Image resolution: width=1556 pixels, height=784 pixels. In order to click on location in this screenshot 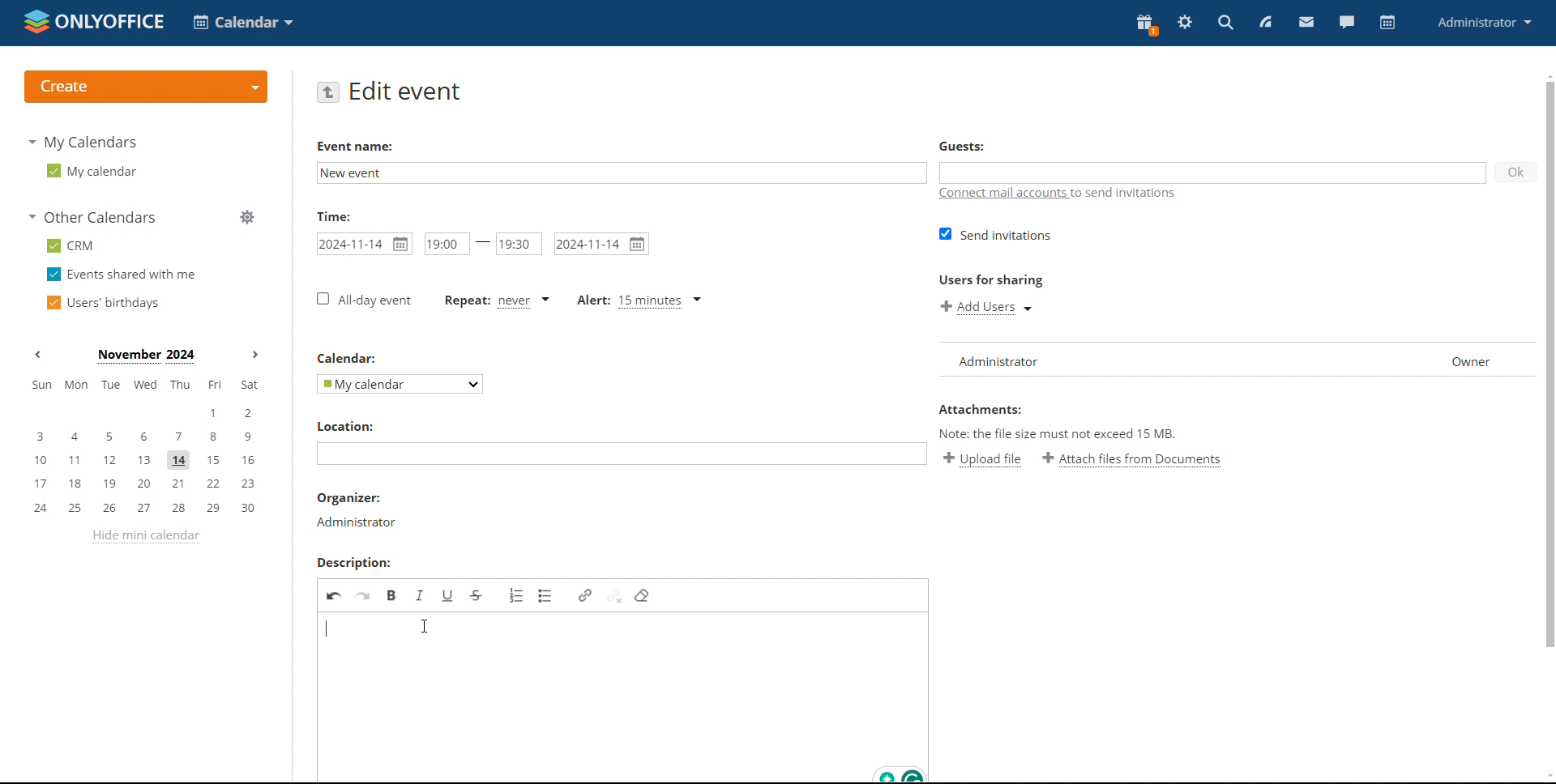, I will do `click(356, 428)`.